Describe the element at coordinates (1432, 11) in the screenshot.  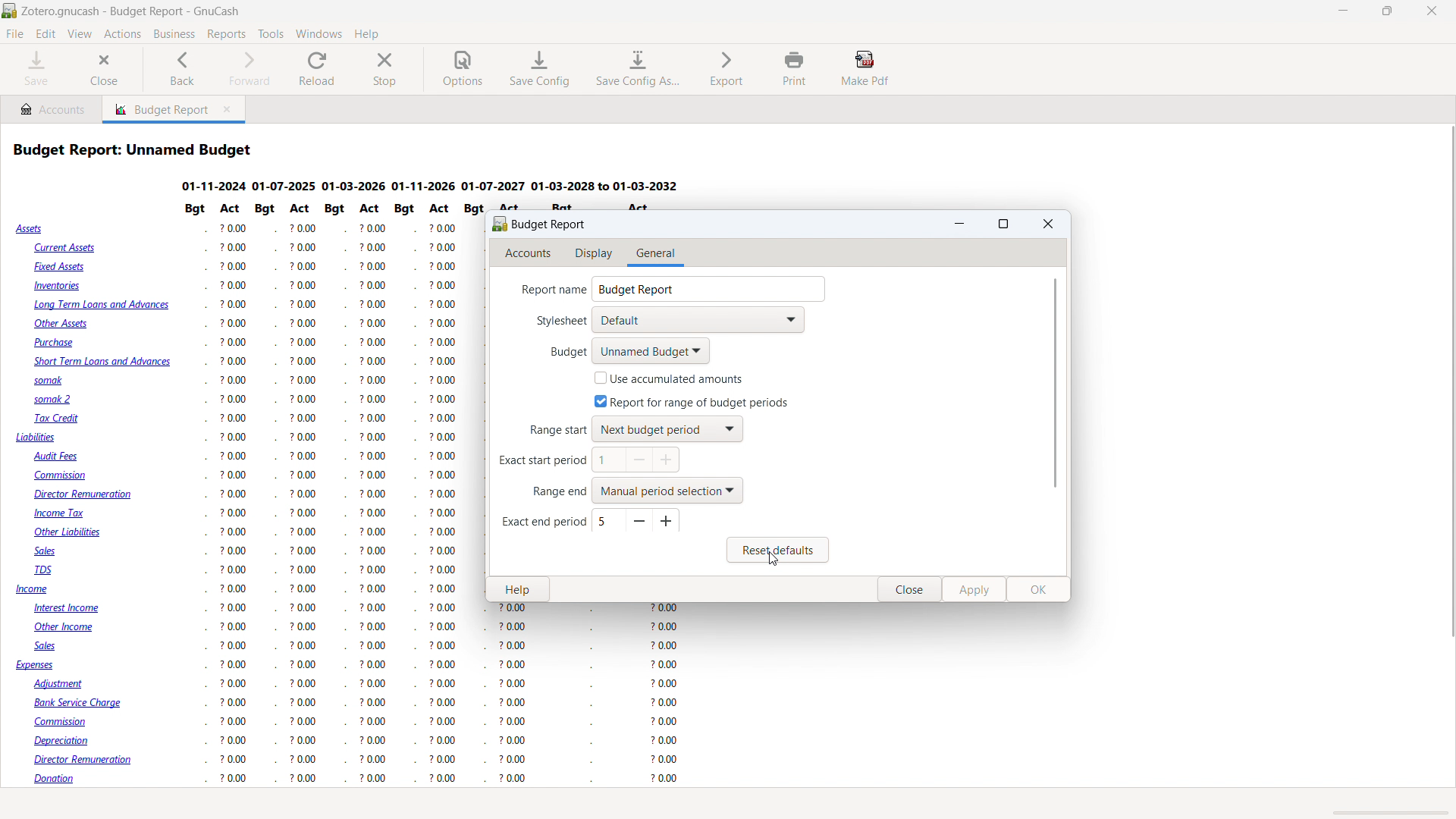
I see `close` at that location.